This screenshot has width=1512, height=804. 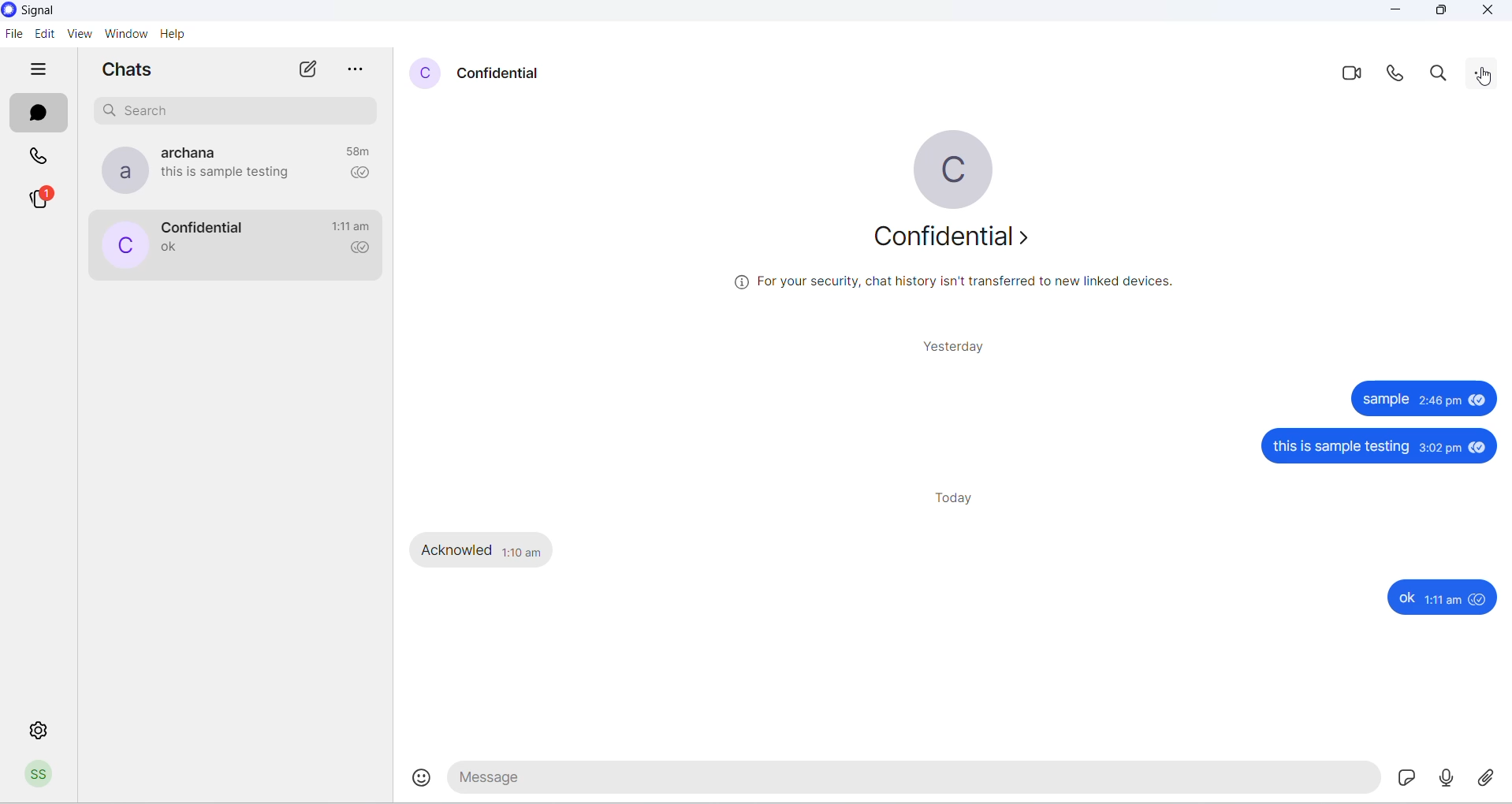 What do you see at coordinates (1404, 780) in the screenshot?
I see `sticker` at bounding box center [1404, 780].